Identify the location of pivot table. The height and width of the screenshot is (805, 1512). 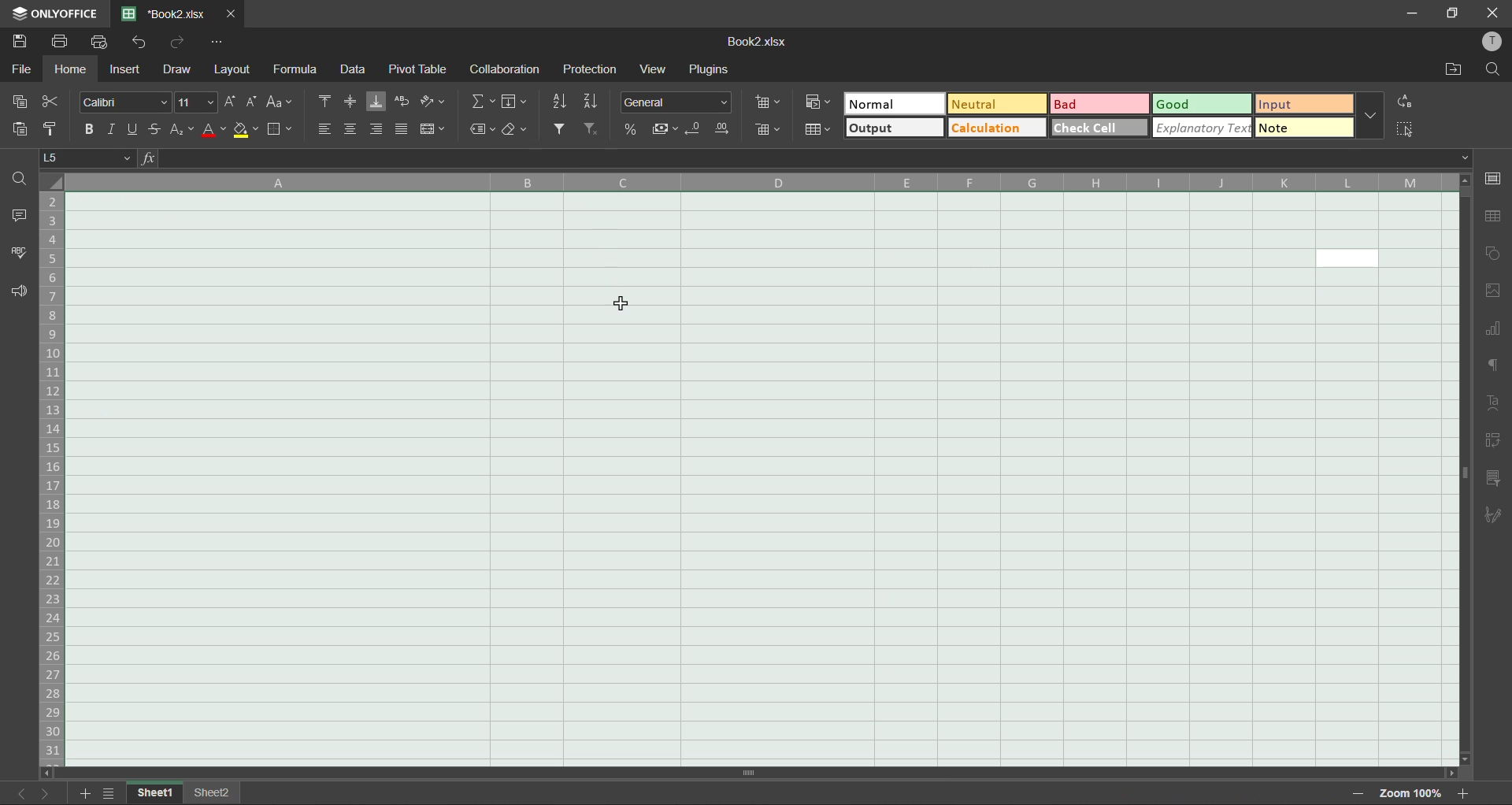
(420, 70).